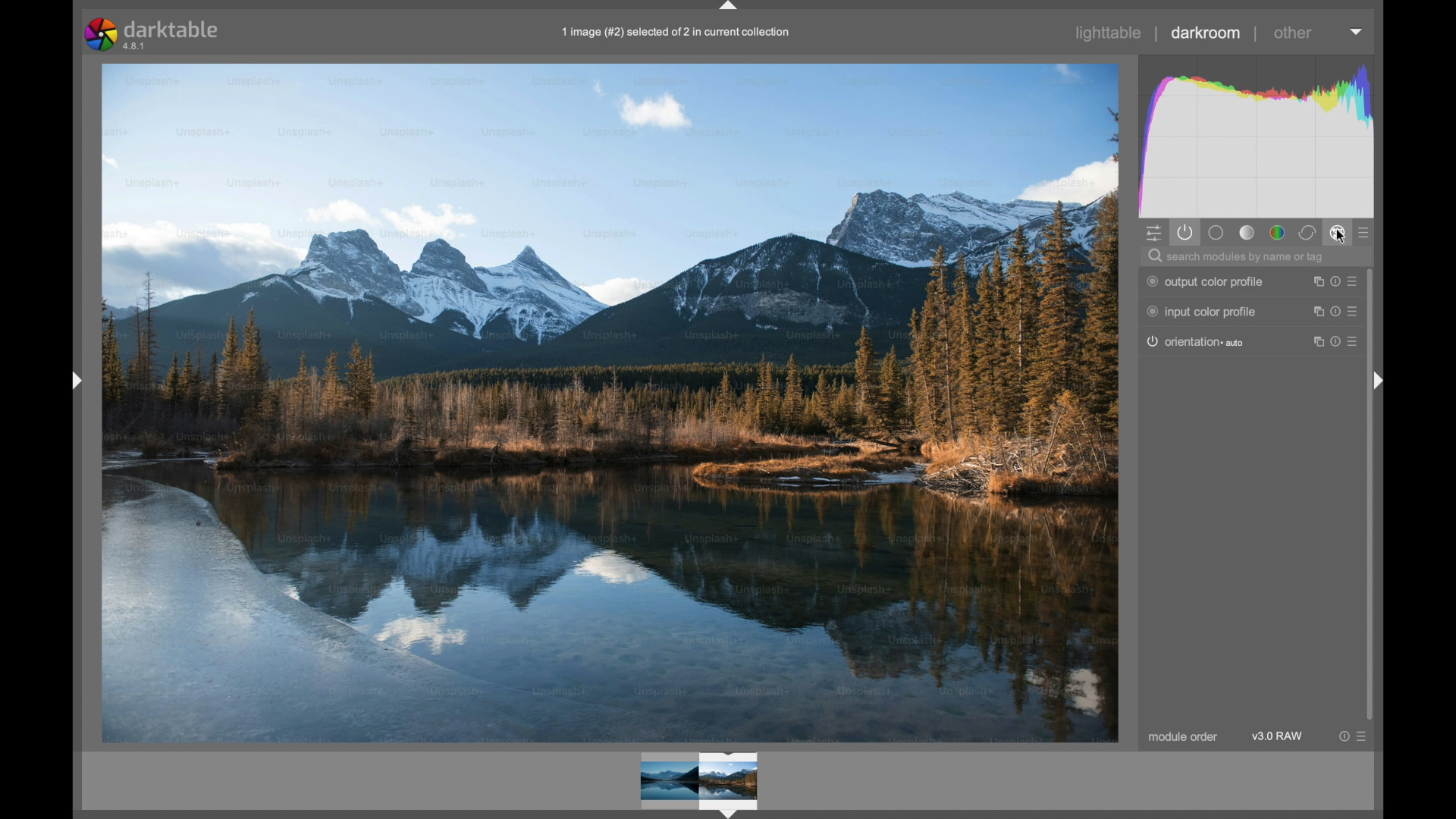 This screenshot has height=819, width=1456. Describe the element at coordinates (1335, 312) in the screenshot. I see `reset parameters` at that location.